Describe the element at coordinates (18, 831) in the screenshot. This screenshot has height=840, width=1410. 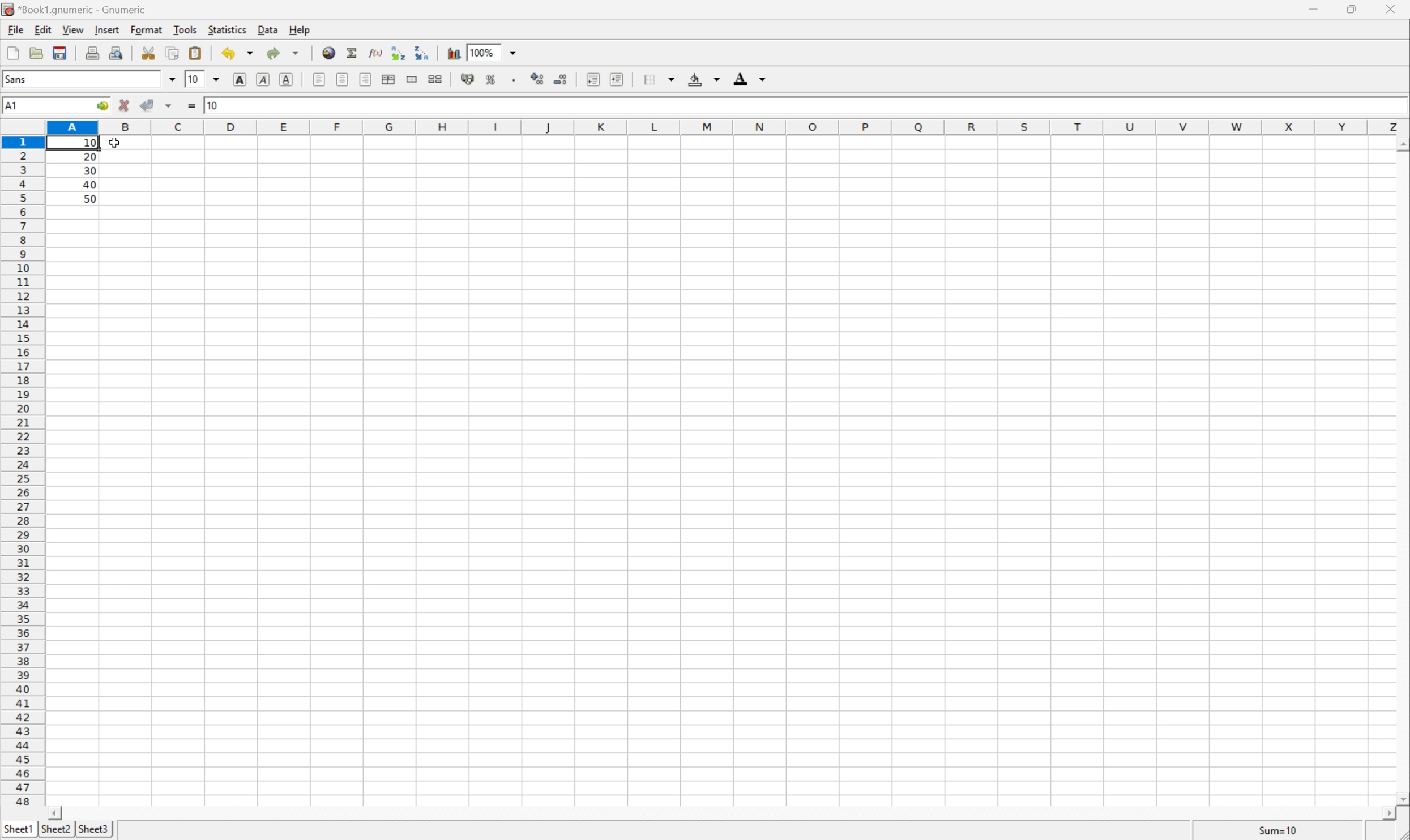
I see `Sheet1` at that location.